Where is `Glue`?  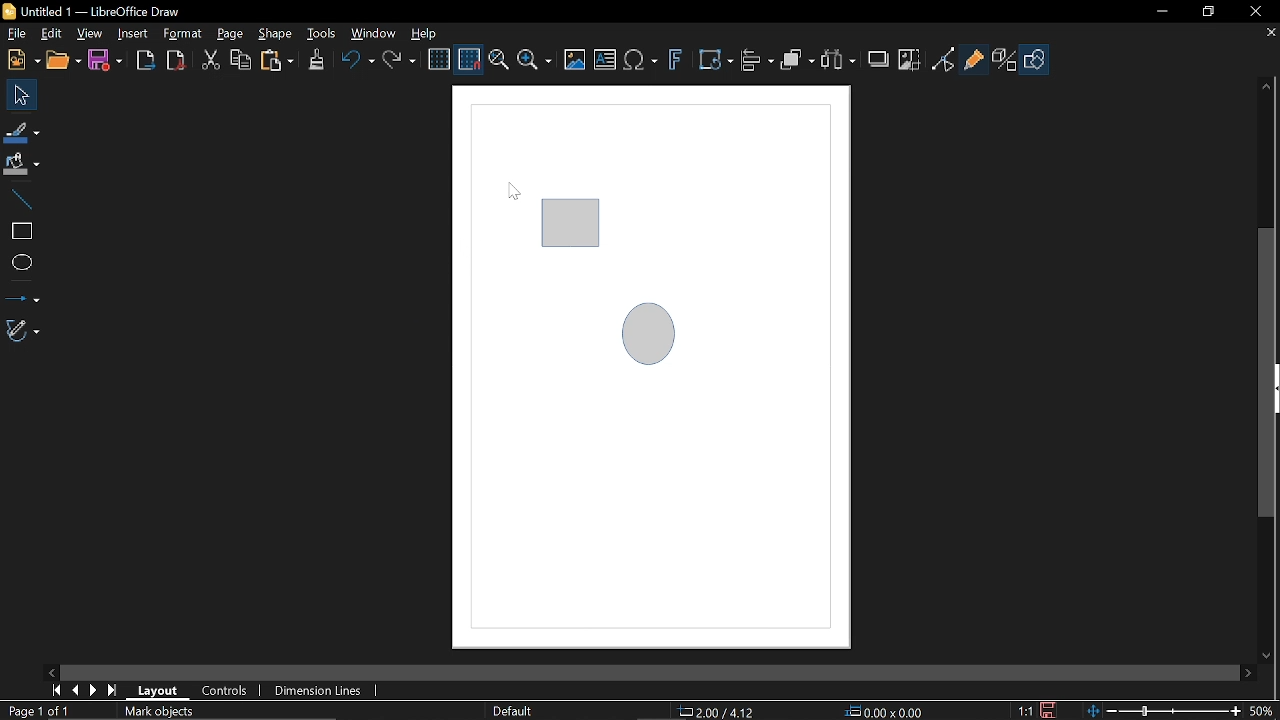
Glue is located at coordinates (974, 60).